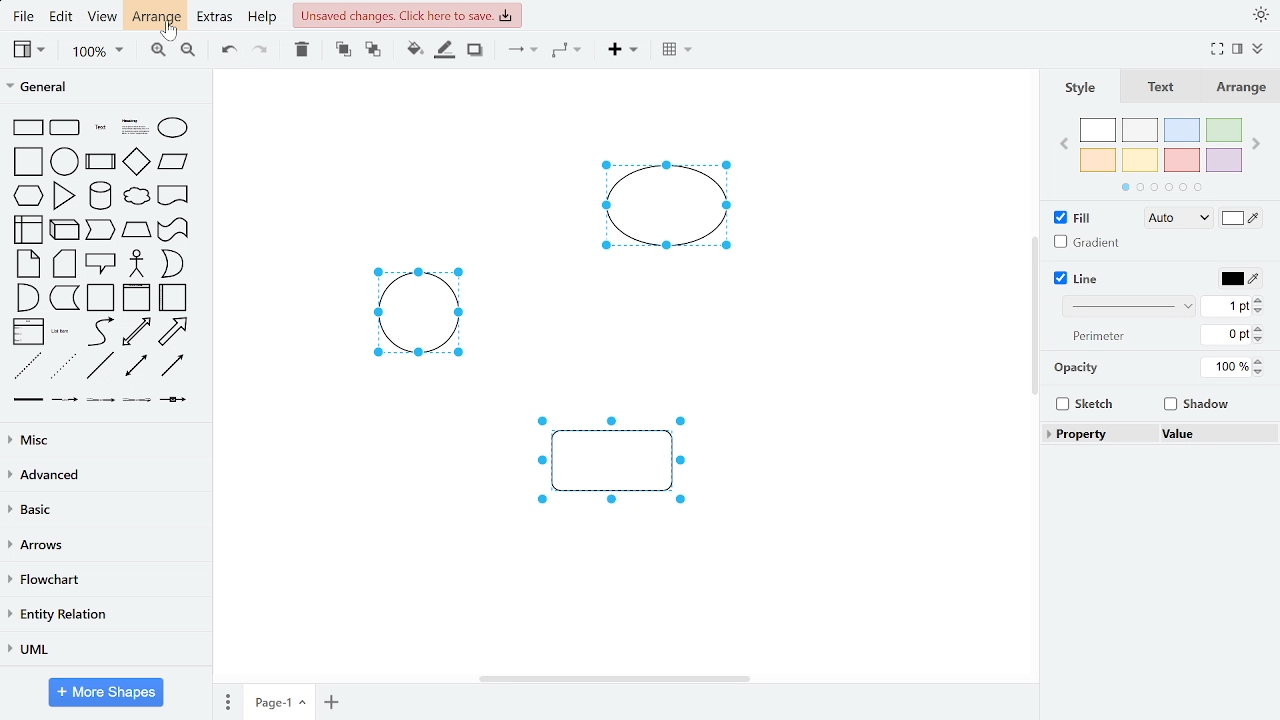 This screenshot has height=720, width=1280. What do you see at coordinates (28, 264) in the screenshot?
I see `note` at bounding box center [28, 264].